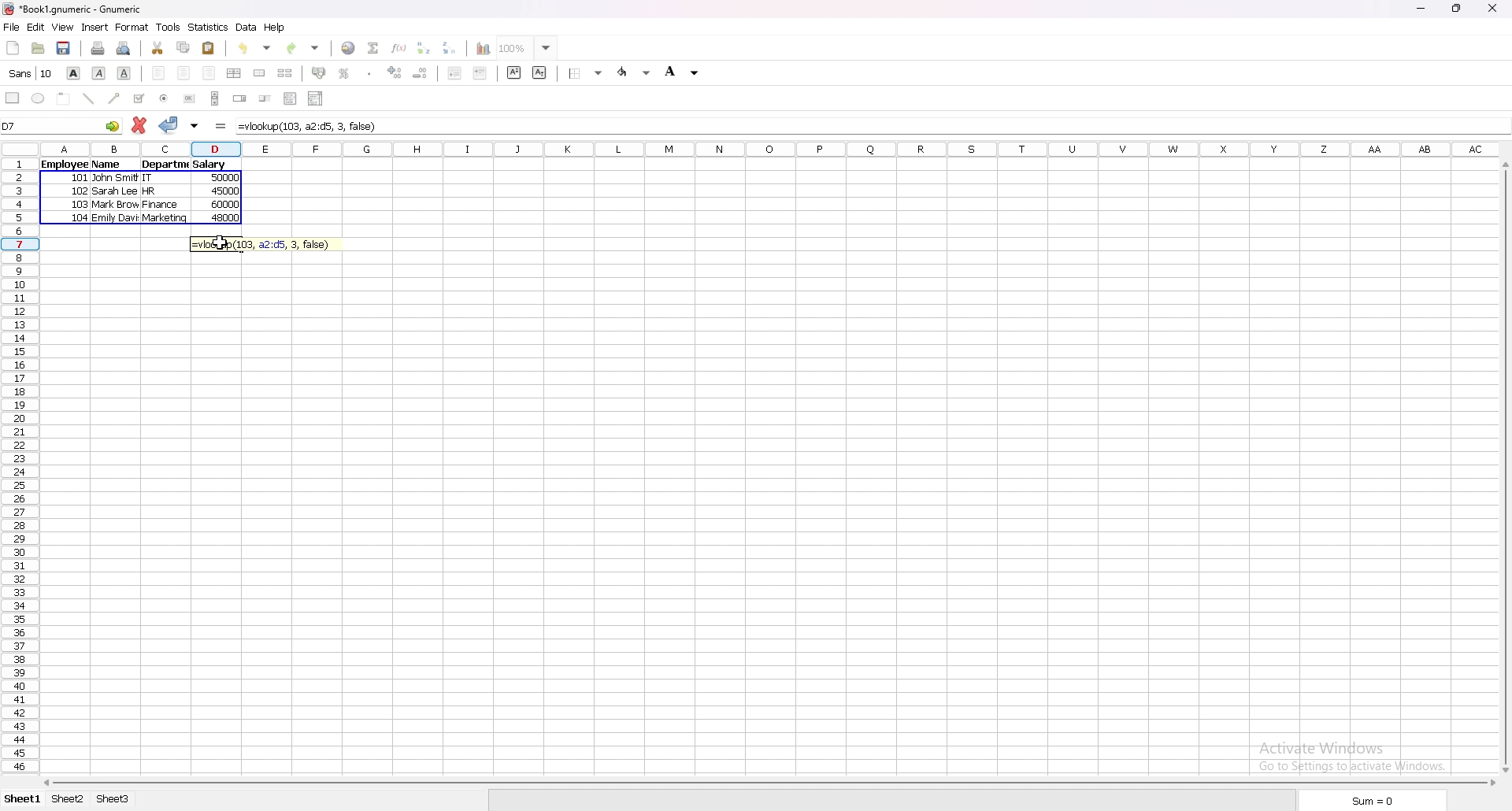 This screenshot has height=811, width=1512. Describe the element at coordinates (424, 47) in the screenshot. I see `sort ascending` at that location.